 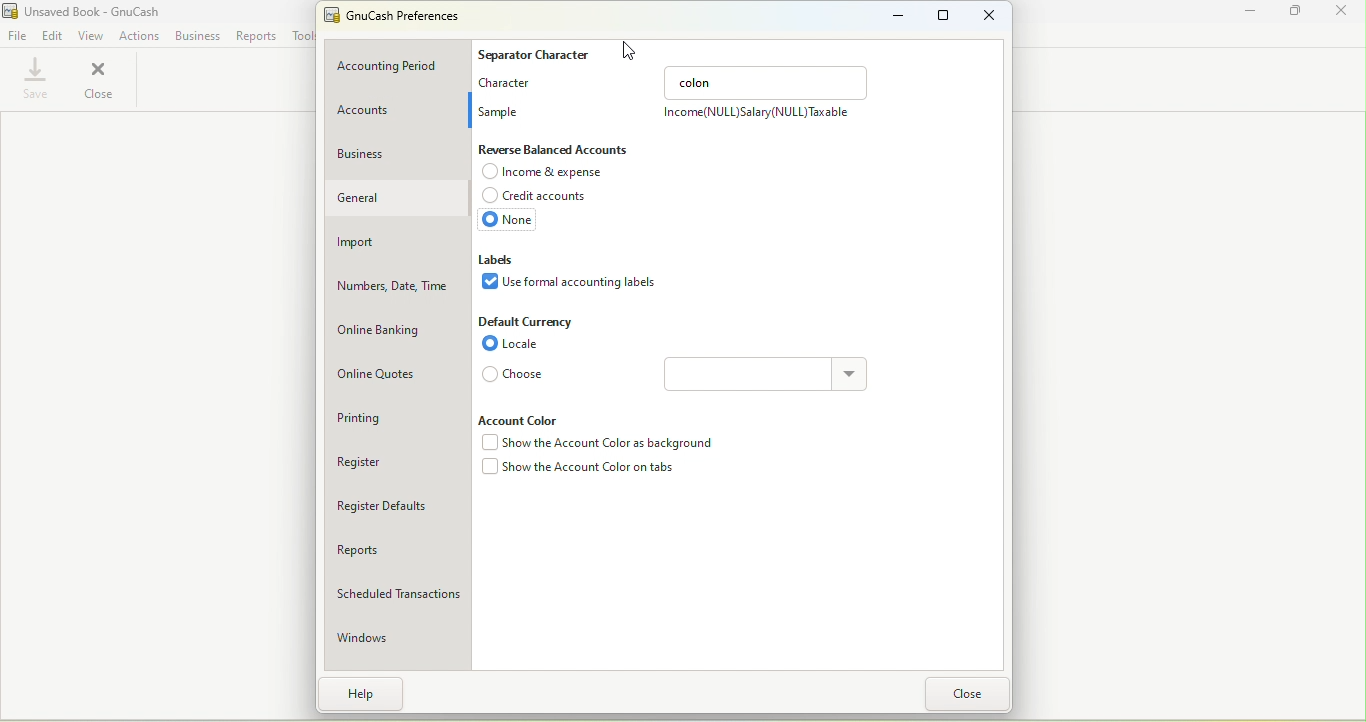 I want to click on Close, so click(x=99, y=80).